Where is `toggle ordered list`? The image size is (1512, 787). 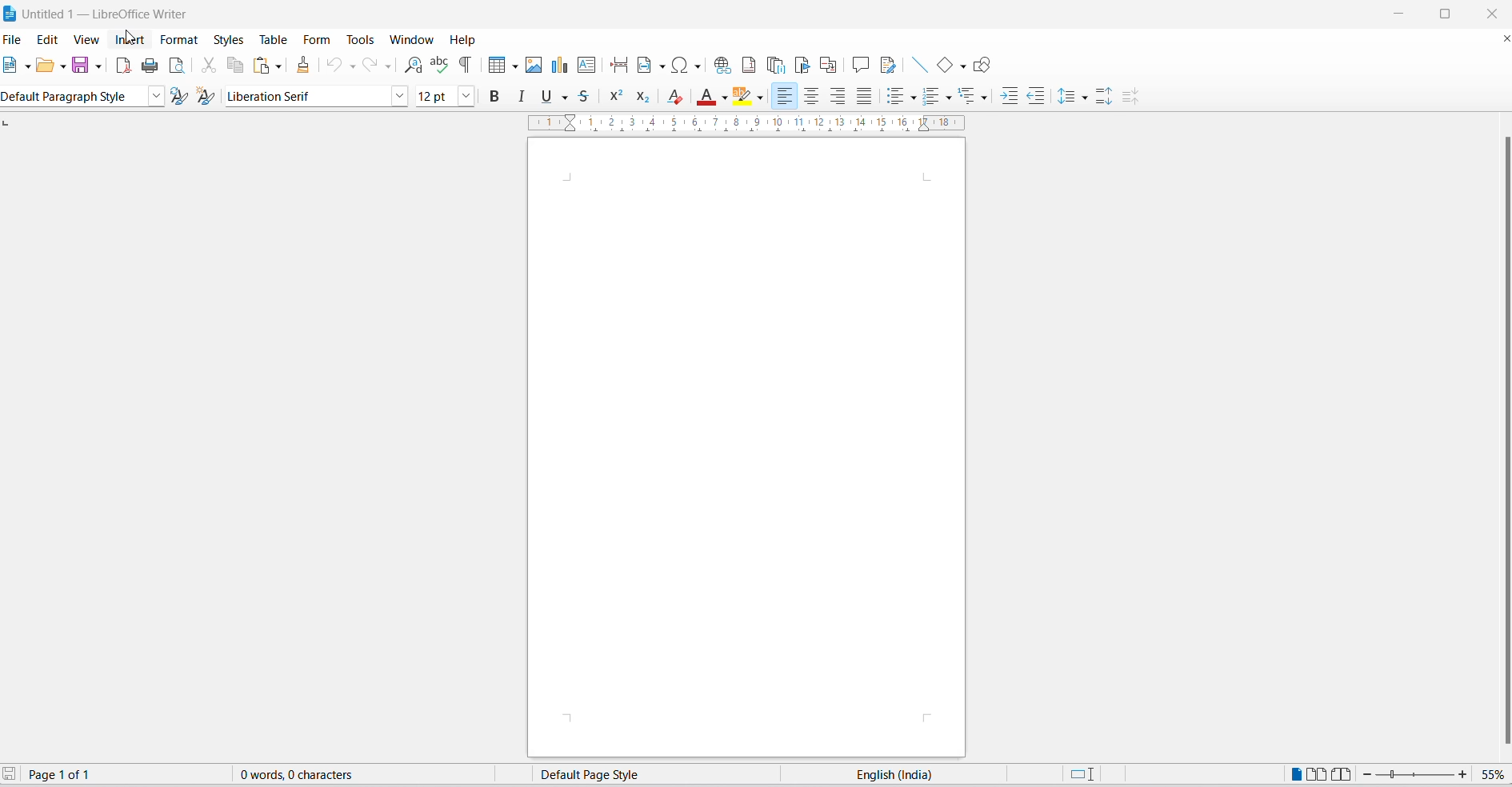 toggle ordered list is located at coordinates (934, 95).